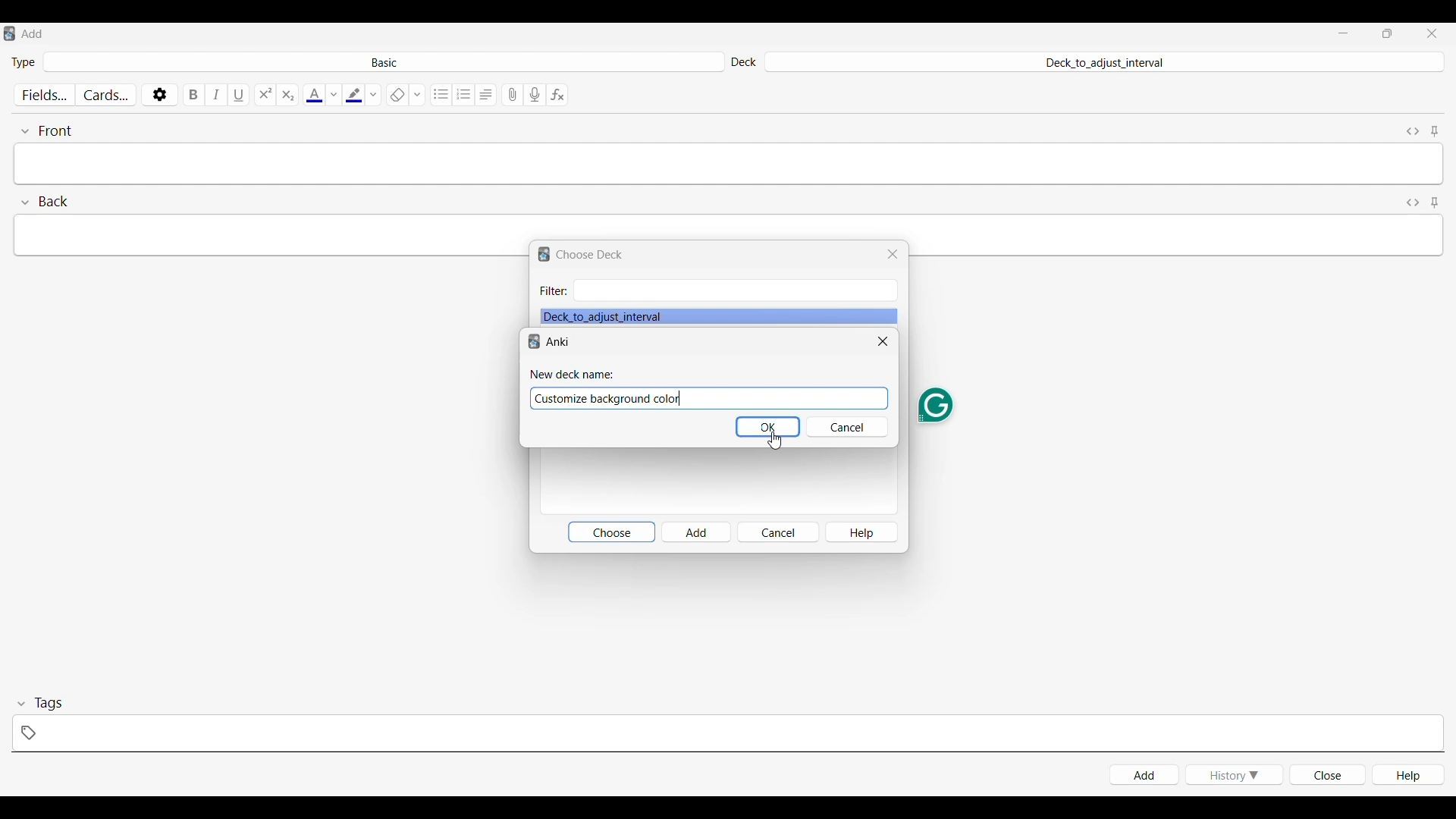 The width and height of the screenshot is (1456, 819). What do you see at coordinates (1414, 131) in the screenshot?
I see `Toggle HTML editor` at bounding box center [1414, 131].